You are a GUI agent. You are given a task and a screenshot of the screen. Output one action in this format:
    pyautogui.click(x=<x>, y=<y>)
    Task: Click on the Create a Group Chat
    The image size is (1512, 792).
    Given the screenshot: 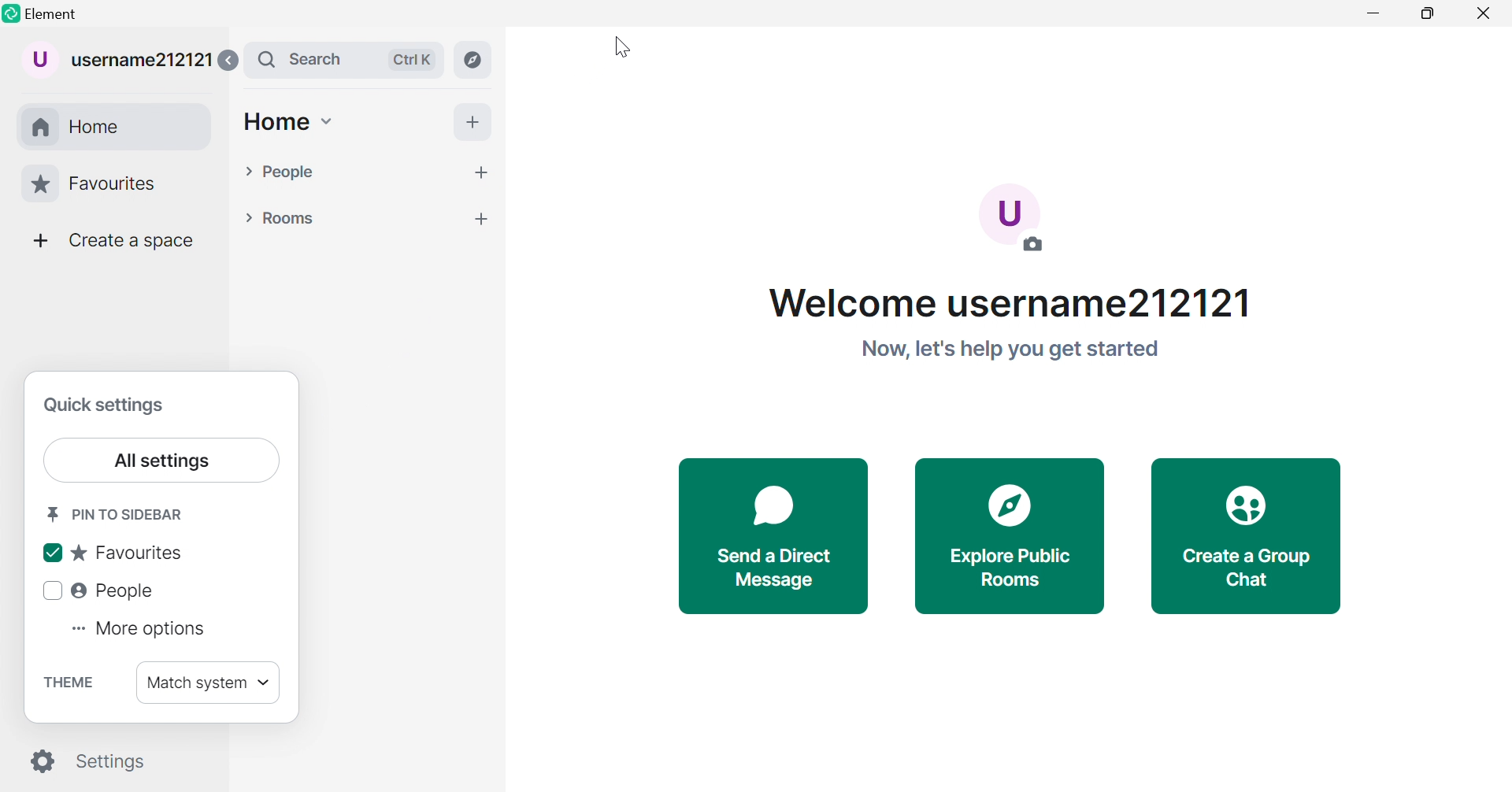 What is the action you would take?
    pyautogui.click(x=1251, y=569)
    